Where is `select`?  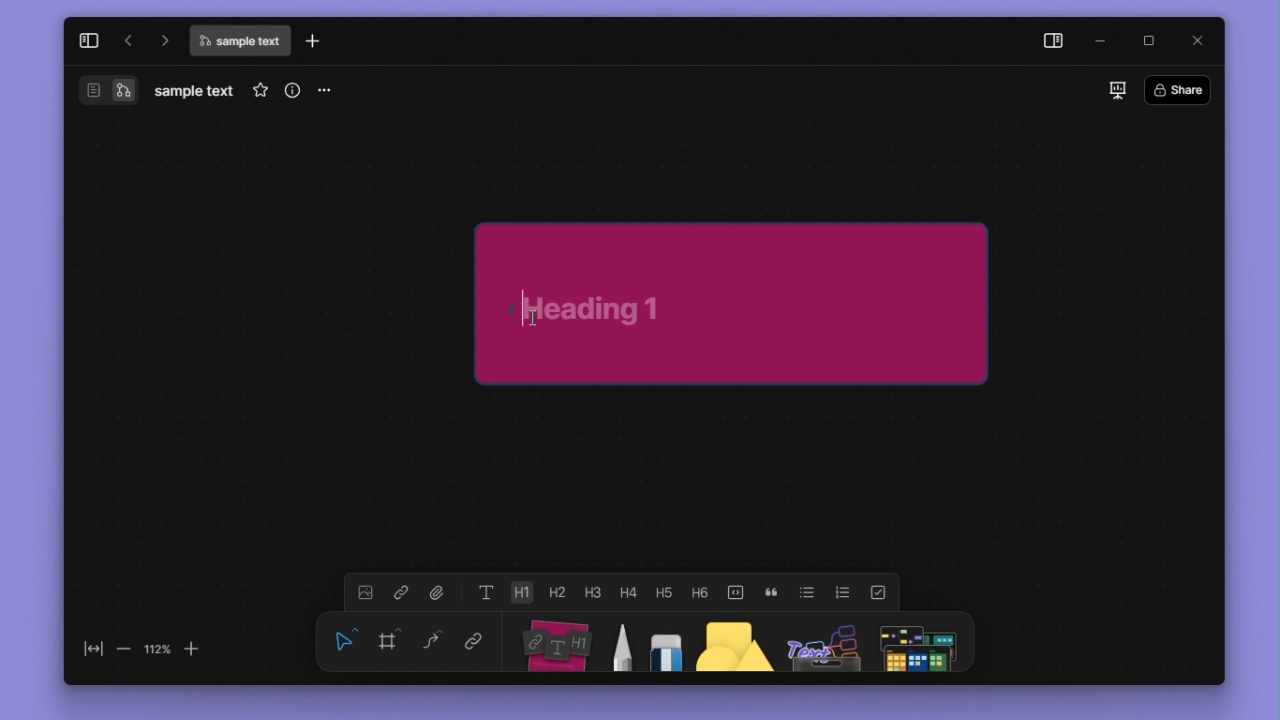 select is located at coordinates (345, 640).